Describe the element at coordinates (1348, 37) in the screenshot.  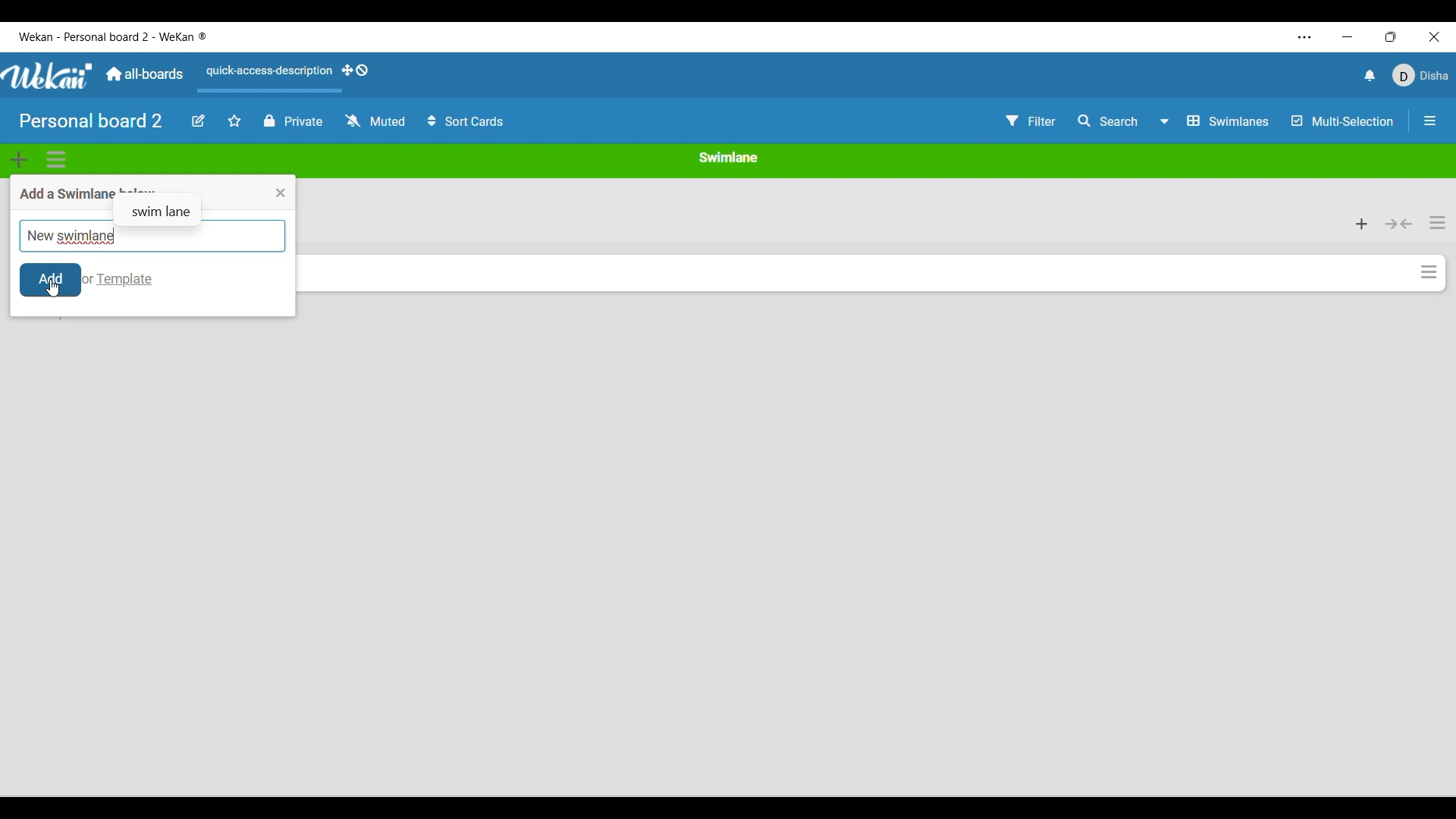
I see `Minimize` at that location.